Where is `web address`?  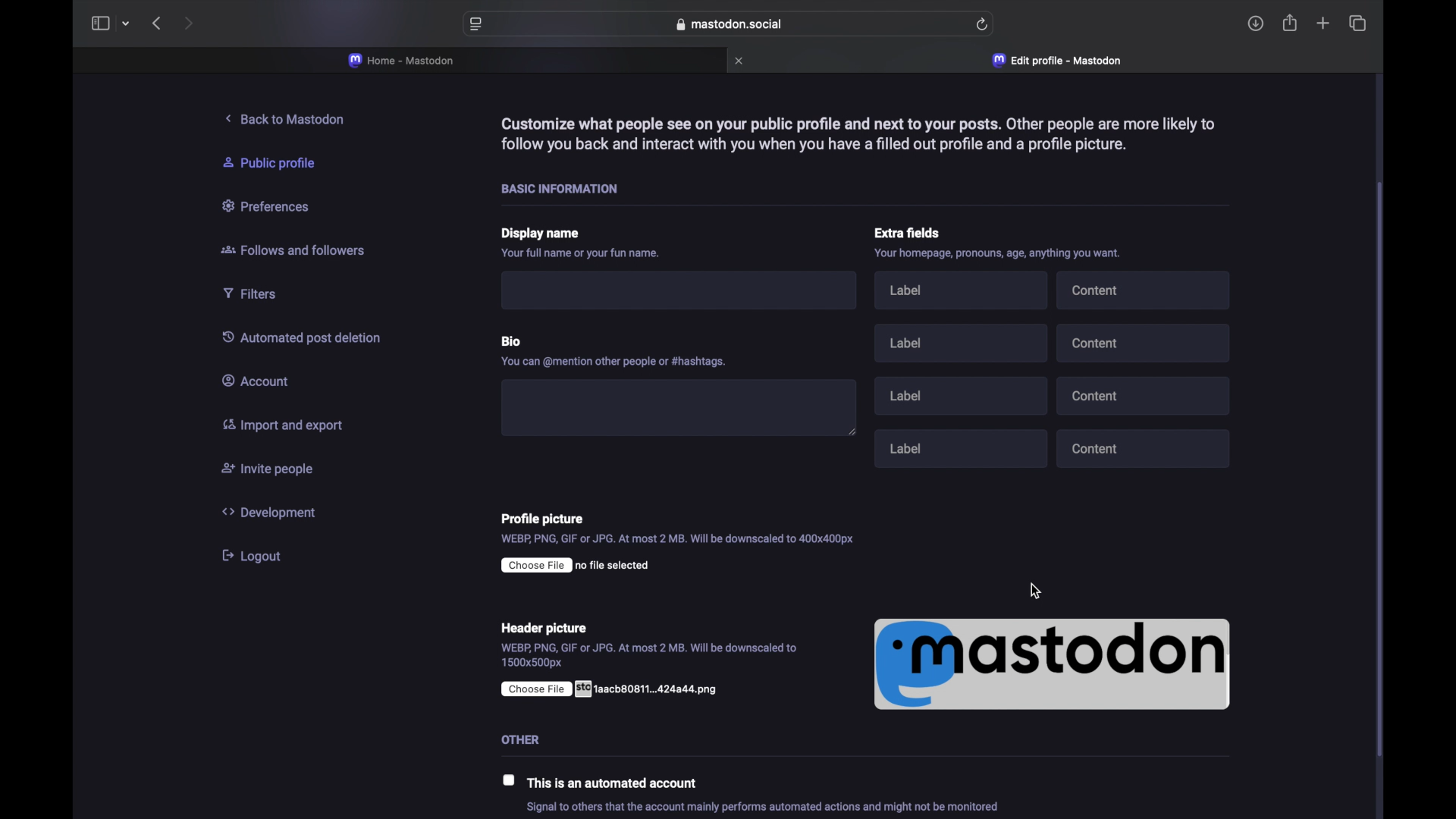 web address is located at coordinates (729, 24).